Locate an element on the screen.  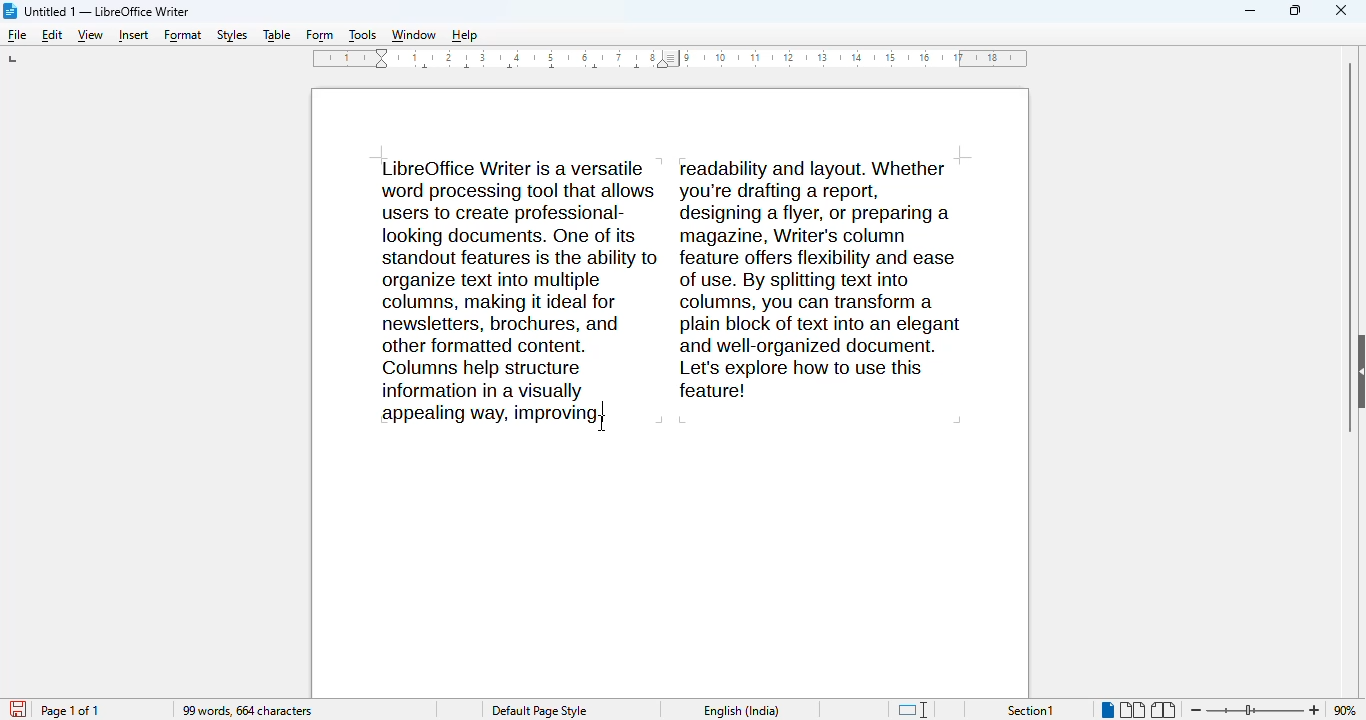
zoom in is located at coordinates (1316, 709).